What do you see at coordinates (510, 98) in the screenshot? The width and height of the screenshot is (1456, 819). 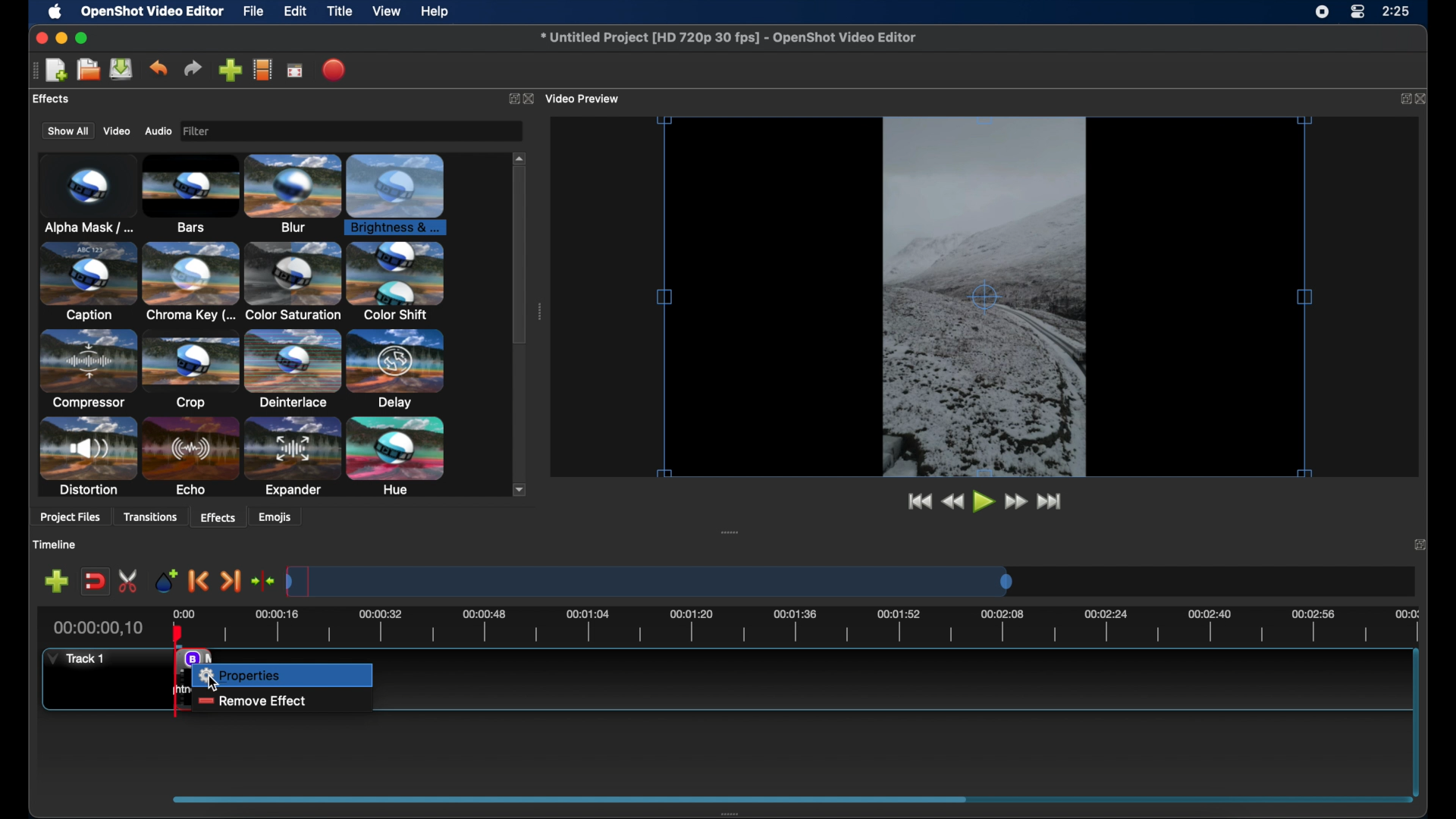 I see `expand` at bounding box center [510, 98].